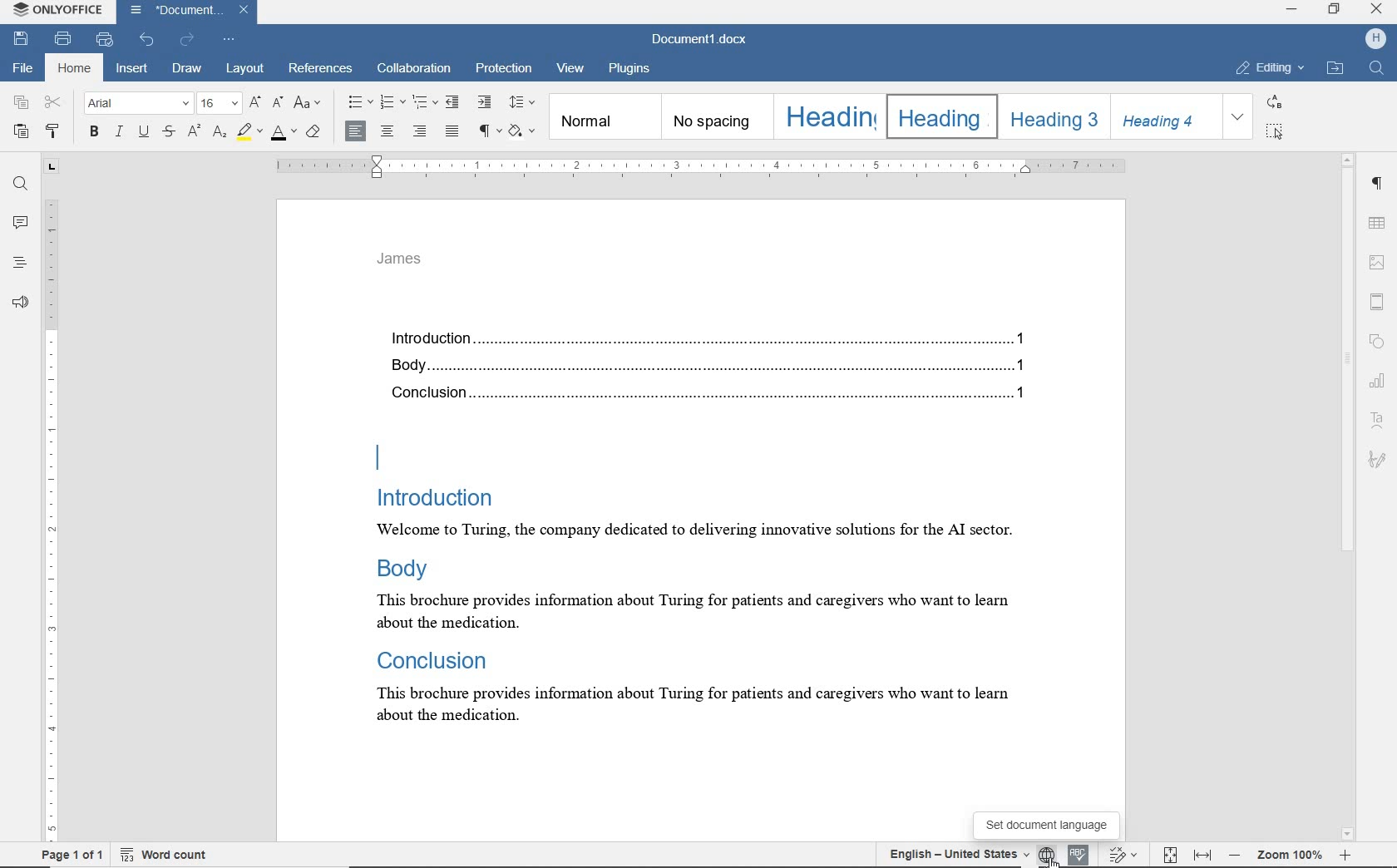 Image resolution: width=1397 pixels, height=868 pixels. I want to click on REPLACE, so click(1275, 101).